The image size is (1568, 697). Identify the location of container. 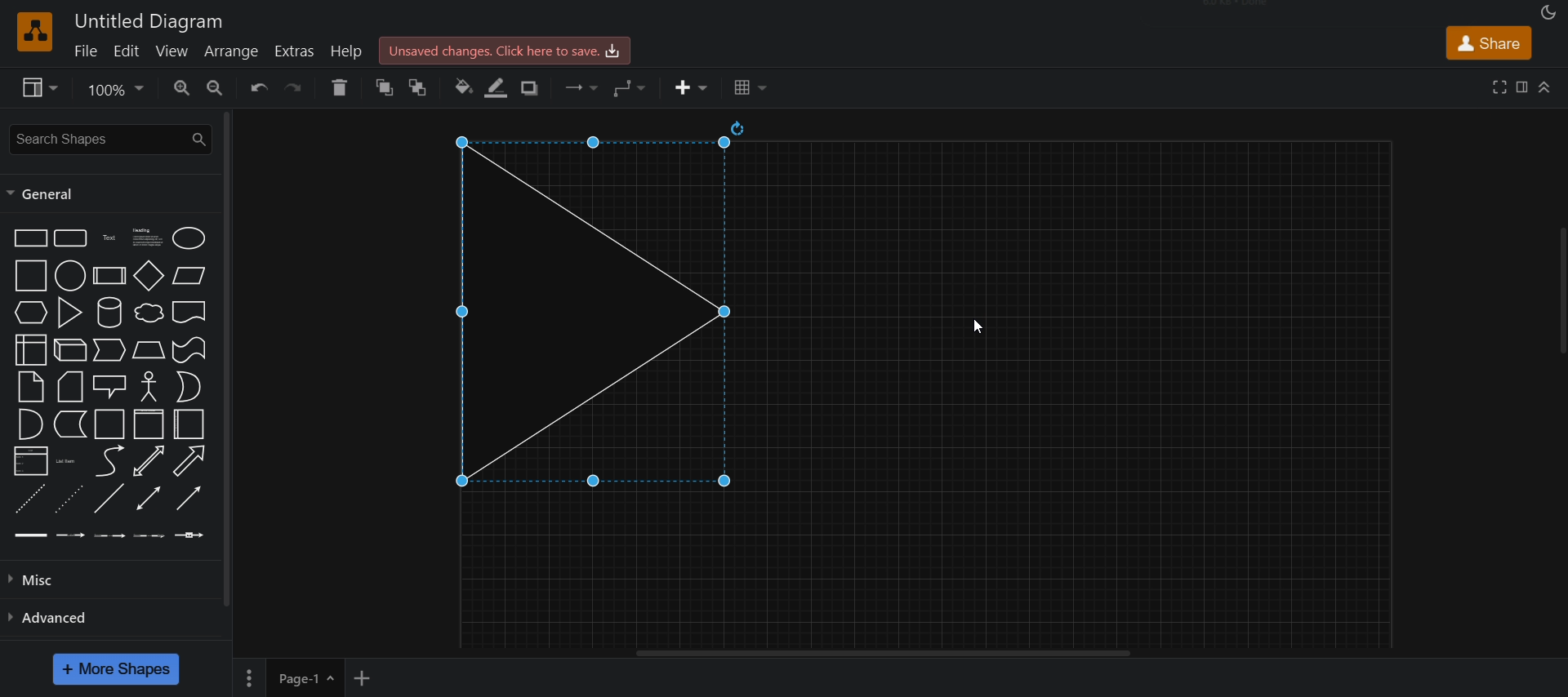
(147, 424).